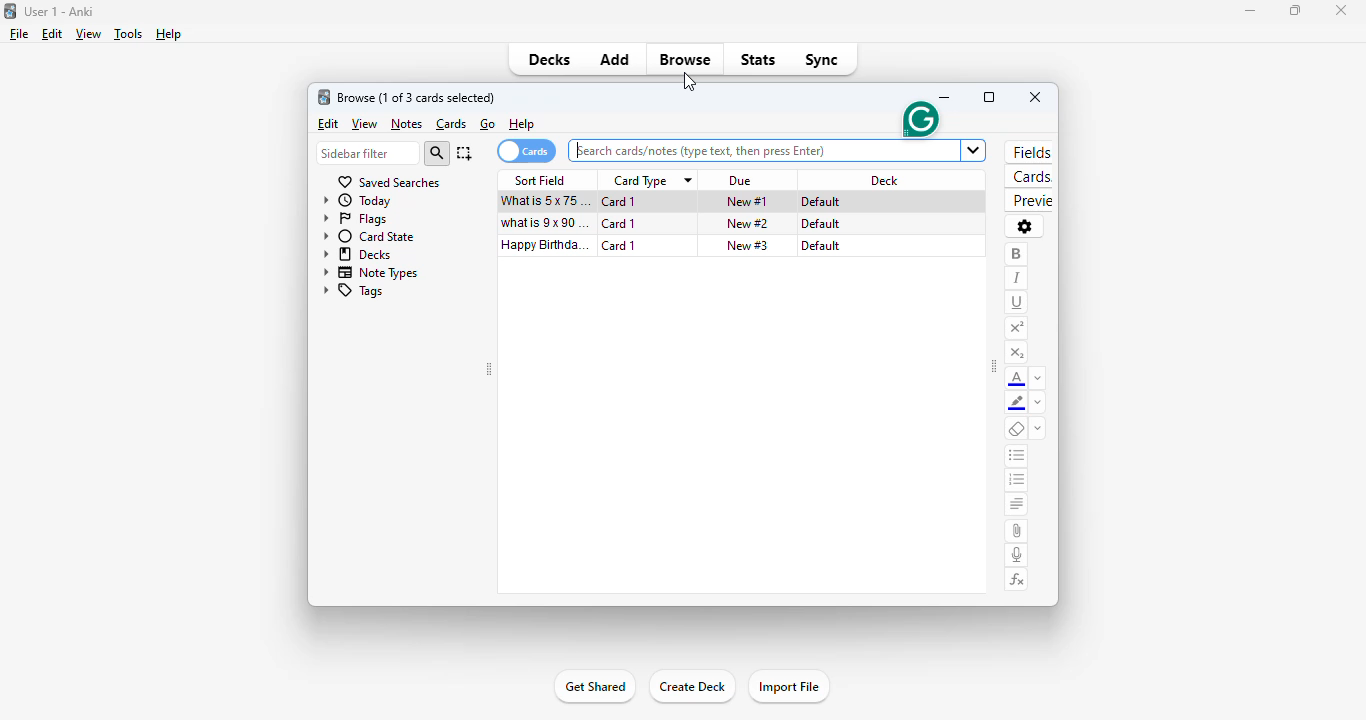 The height and width of the screenshot is (720, 1366). I want to click on card type, so click(642, 182).